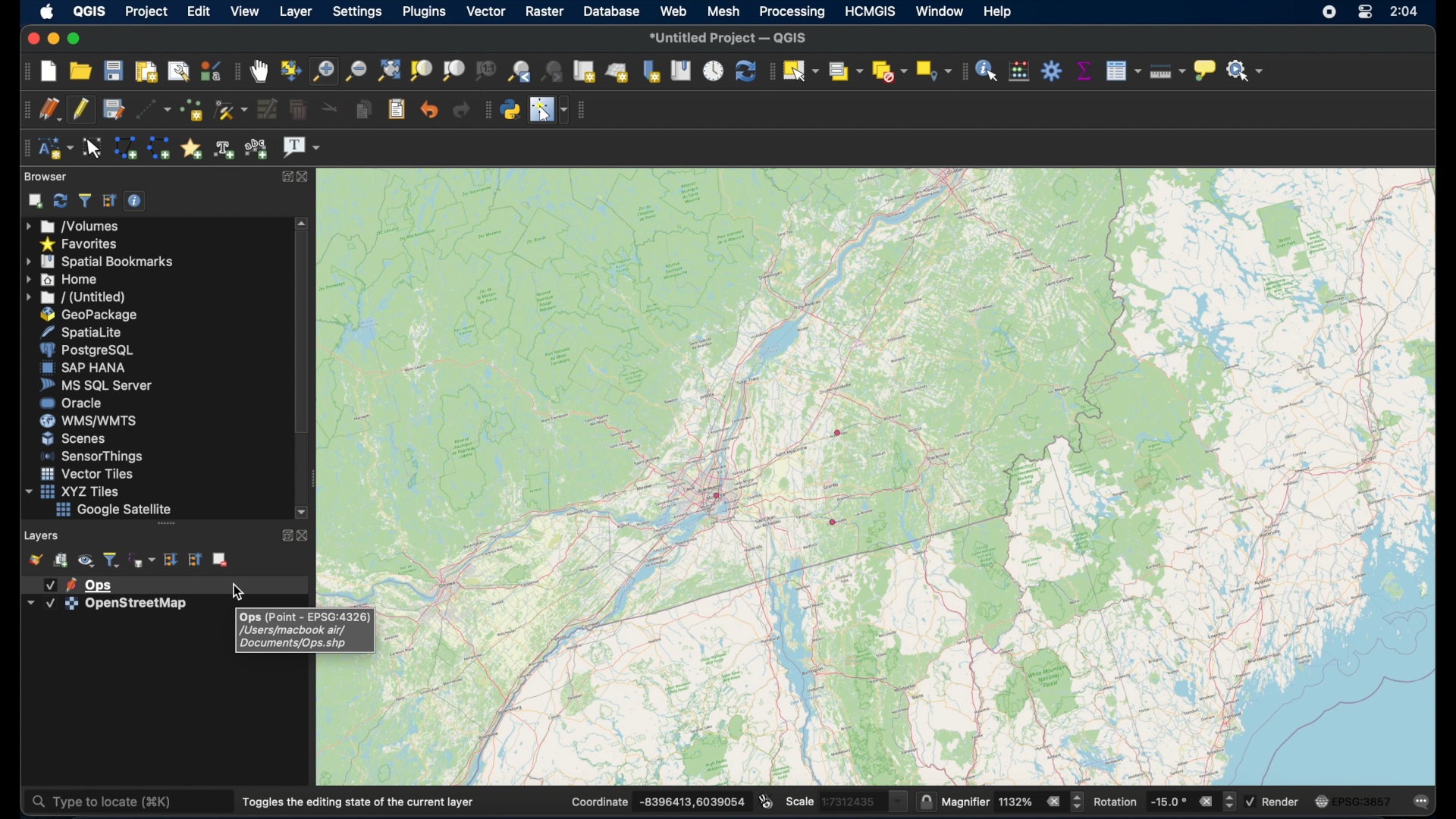  Describe the element at coordinates (322, 71) in the screenshot. I see `zoom in` at that location.